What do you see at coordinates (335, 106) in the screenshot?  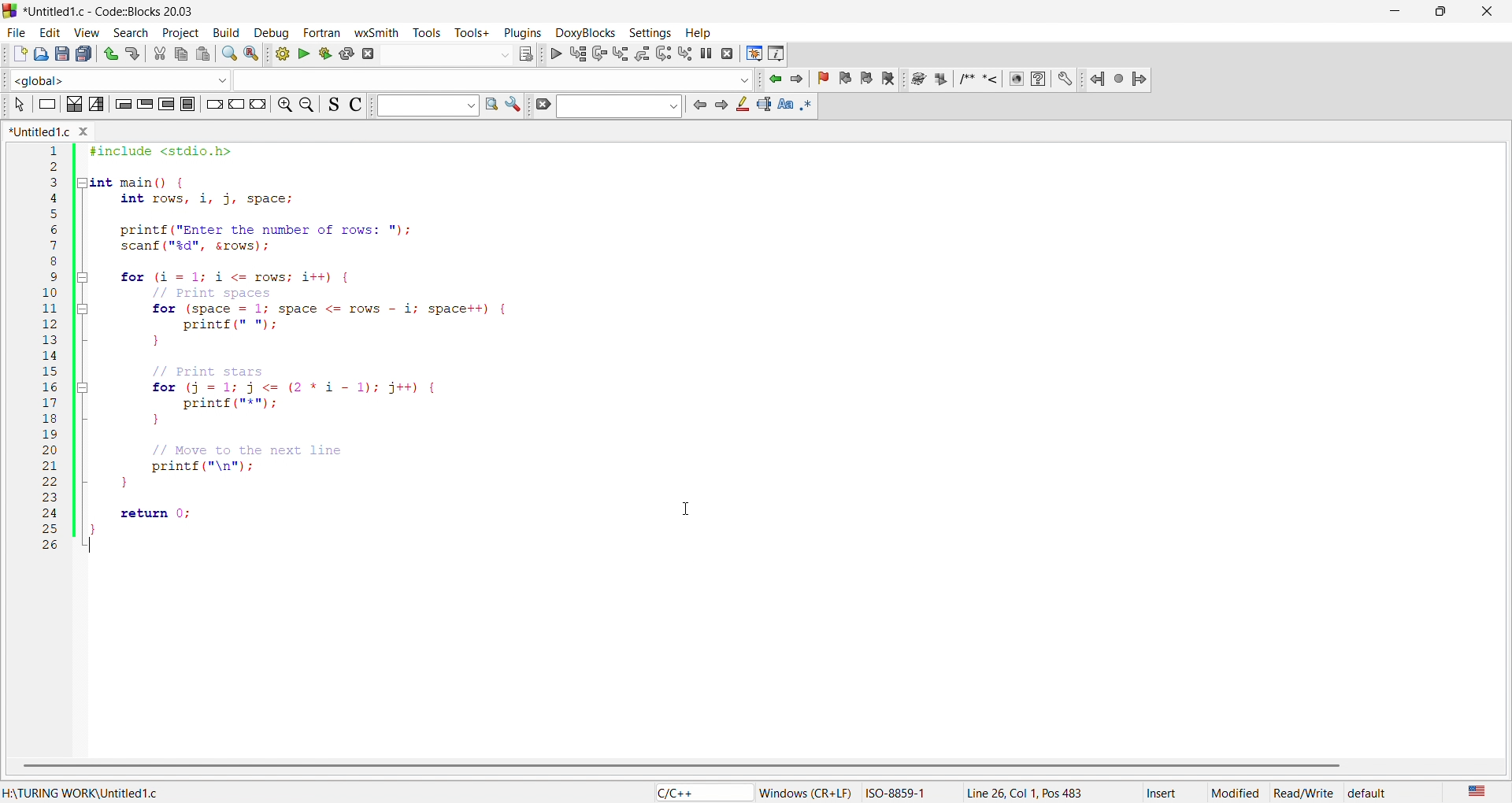 I see `icon` at bounding box center [335, 106].